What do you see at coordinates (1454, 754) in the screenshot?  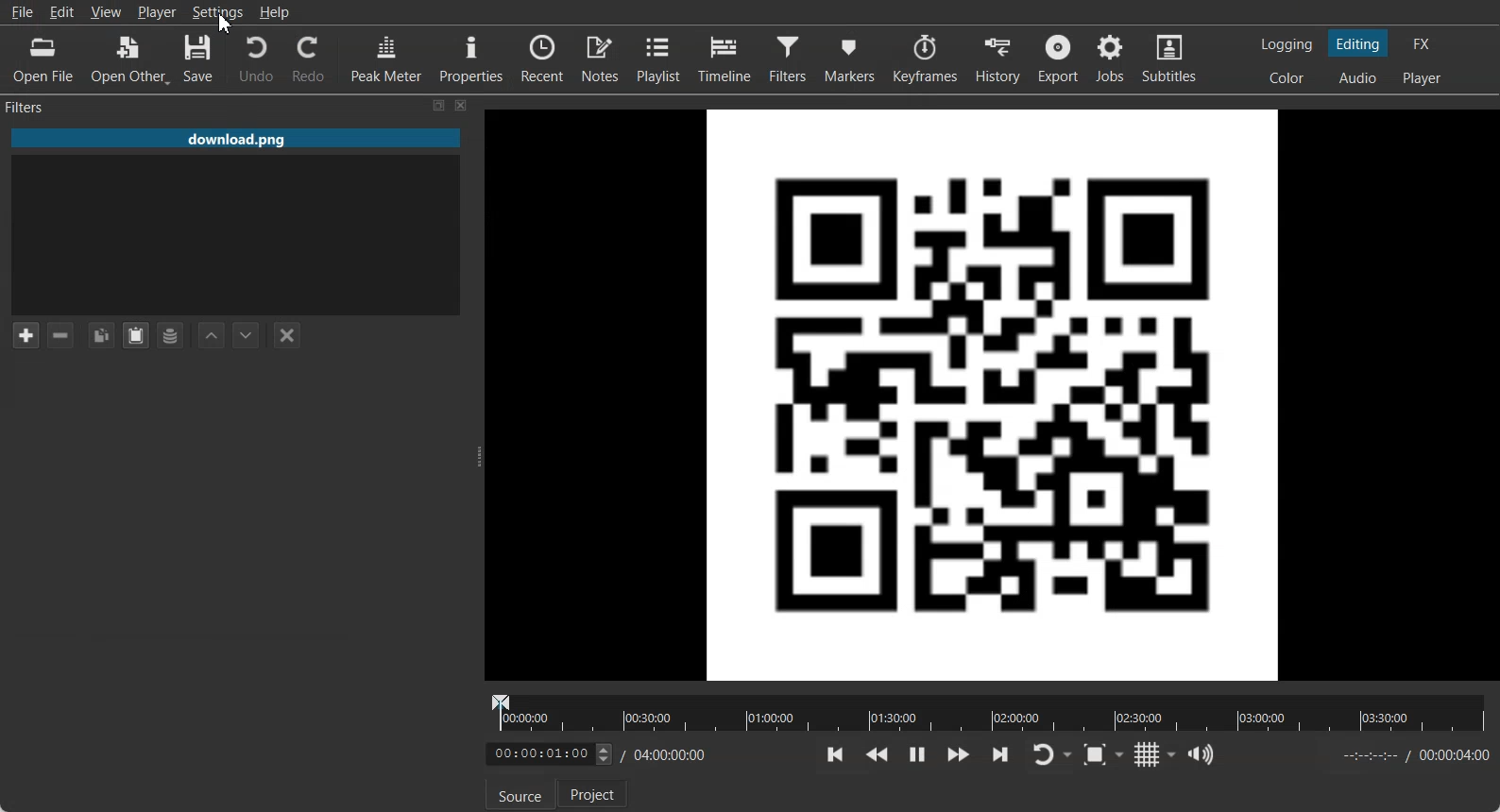 I see `Time added` at bounding box center [1454, 754].